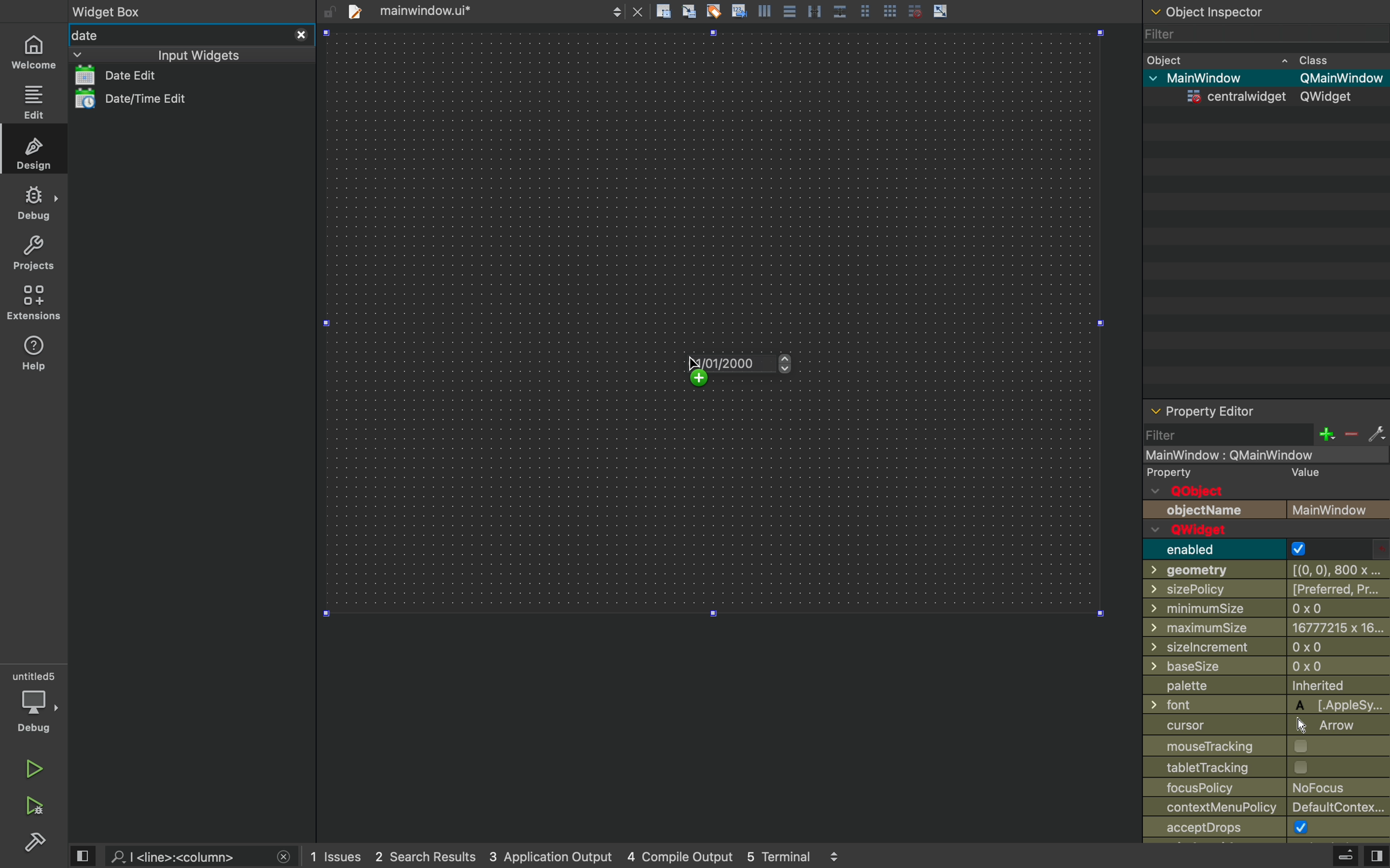 The height and width of the screenshot is (868, 1390). Describe the element at coordinates (284, 858) in the screenshot. I see `close` at that location.